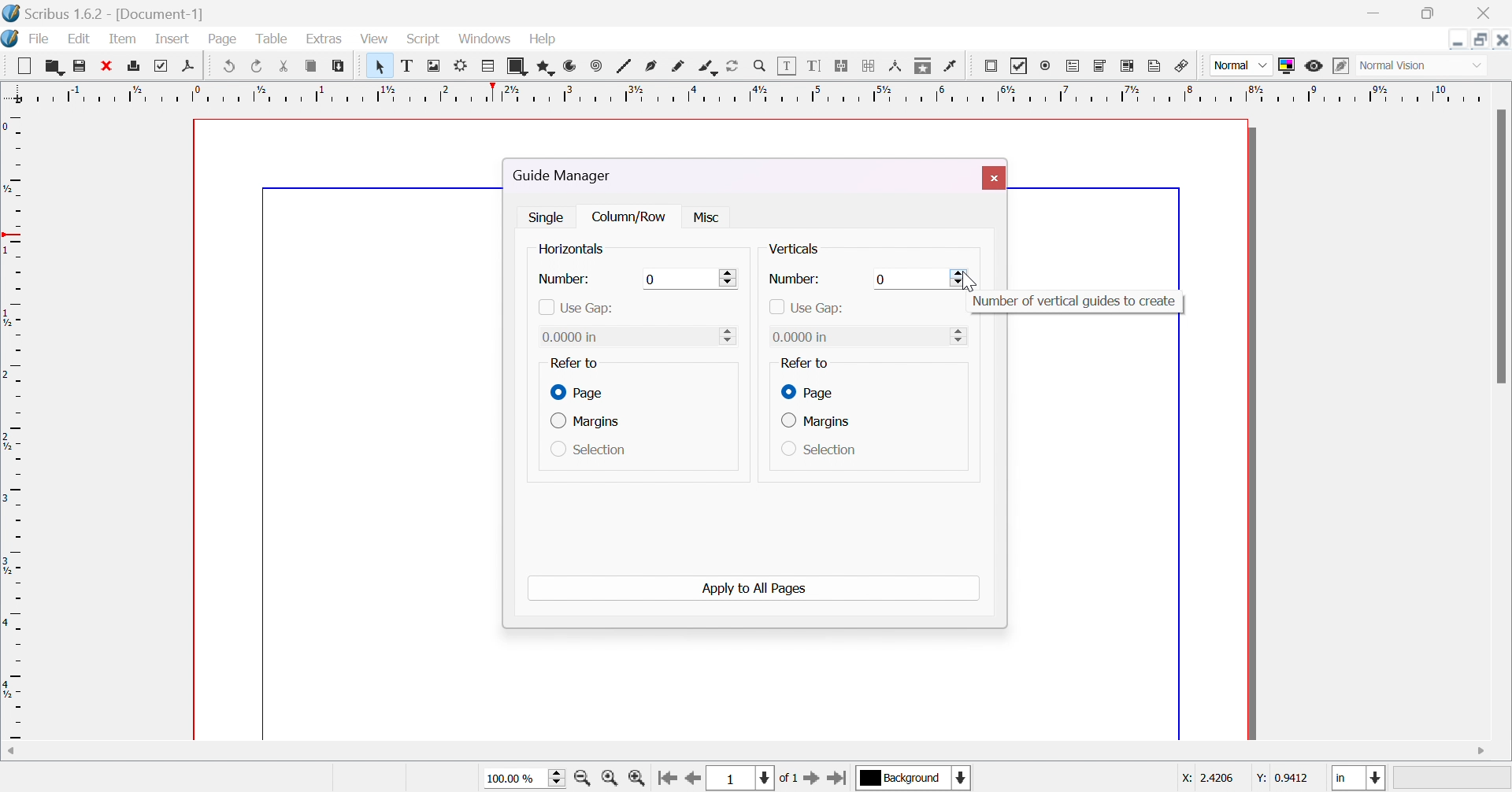 This screenshot has height=792, width=1512. What do you see at coordinates (596, 65) in the screenshot?
I see `spiral` at bounding box center [596, 65].